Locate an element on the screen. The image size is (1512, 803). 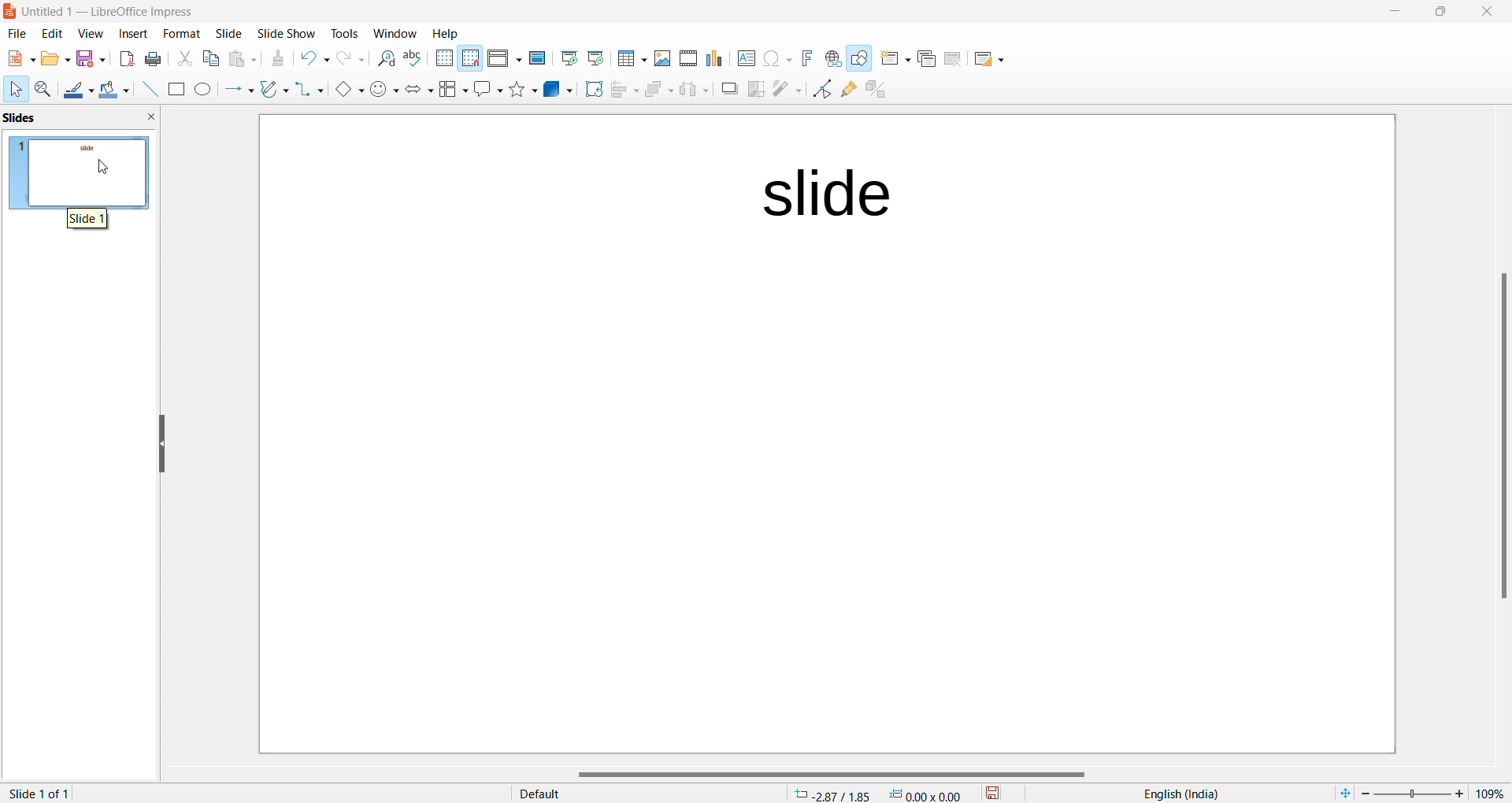
Show glue point function is located at coordinates (847, 90).